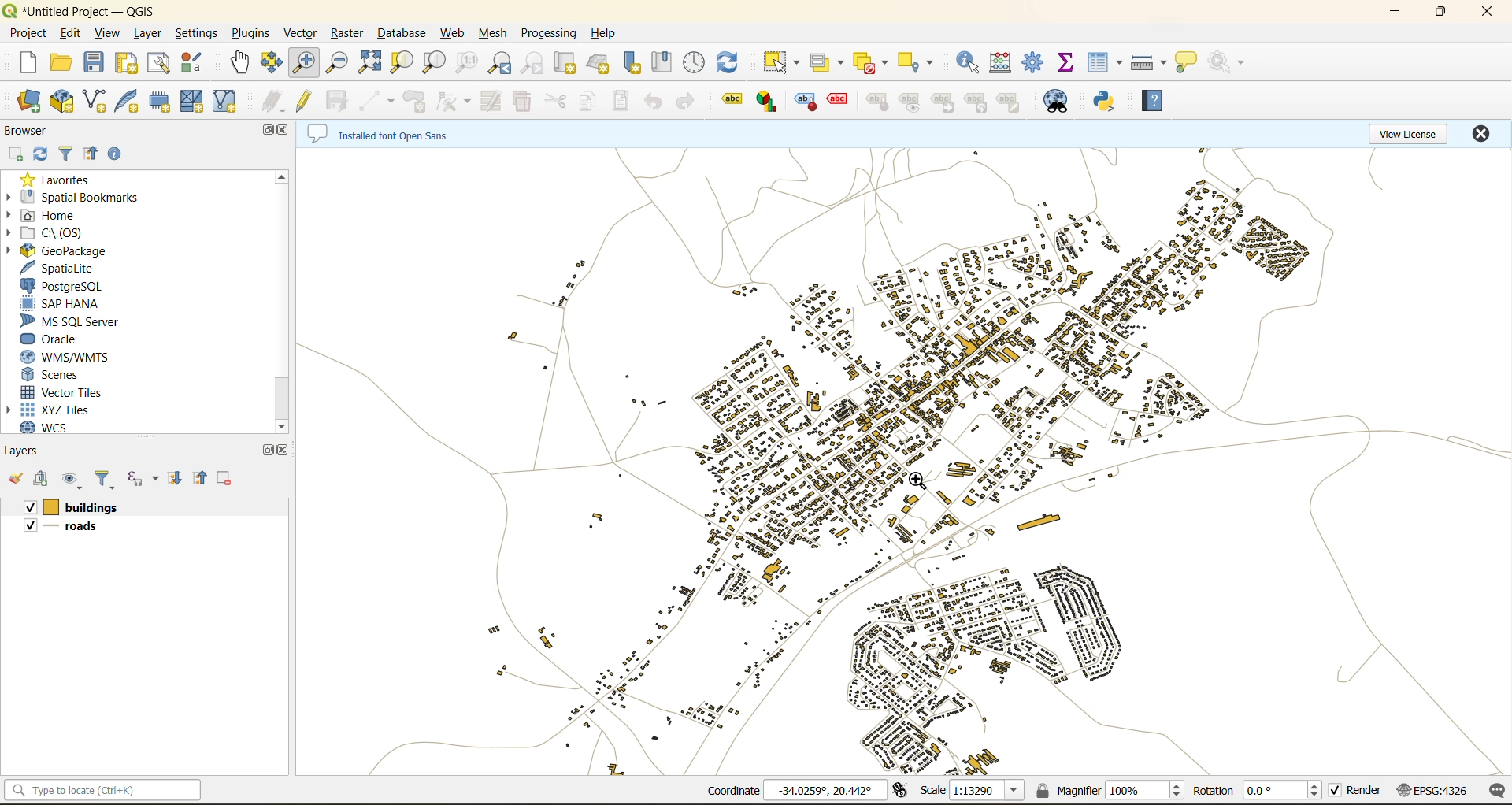 This screenshot has width=1512, height=805. What do you see at coordinates (163, 101) in the screenshot?
I see `temporary scratch layer` at bounding box center [163, 101].